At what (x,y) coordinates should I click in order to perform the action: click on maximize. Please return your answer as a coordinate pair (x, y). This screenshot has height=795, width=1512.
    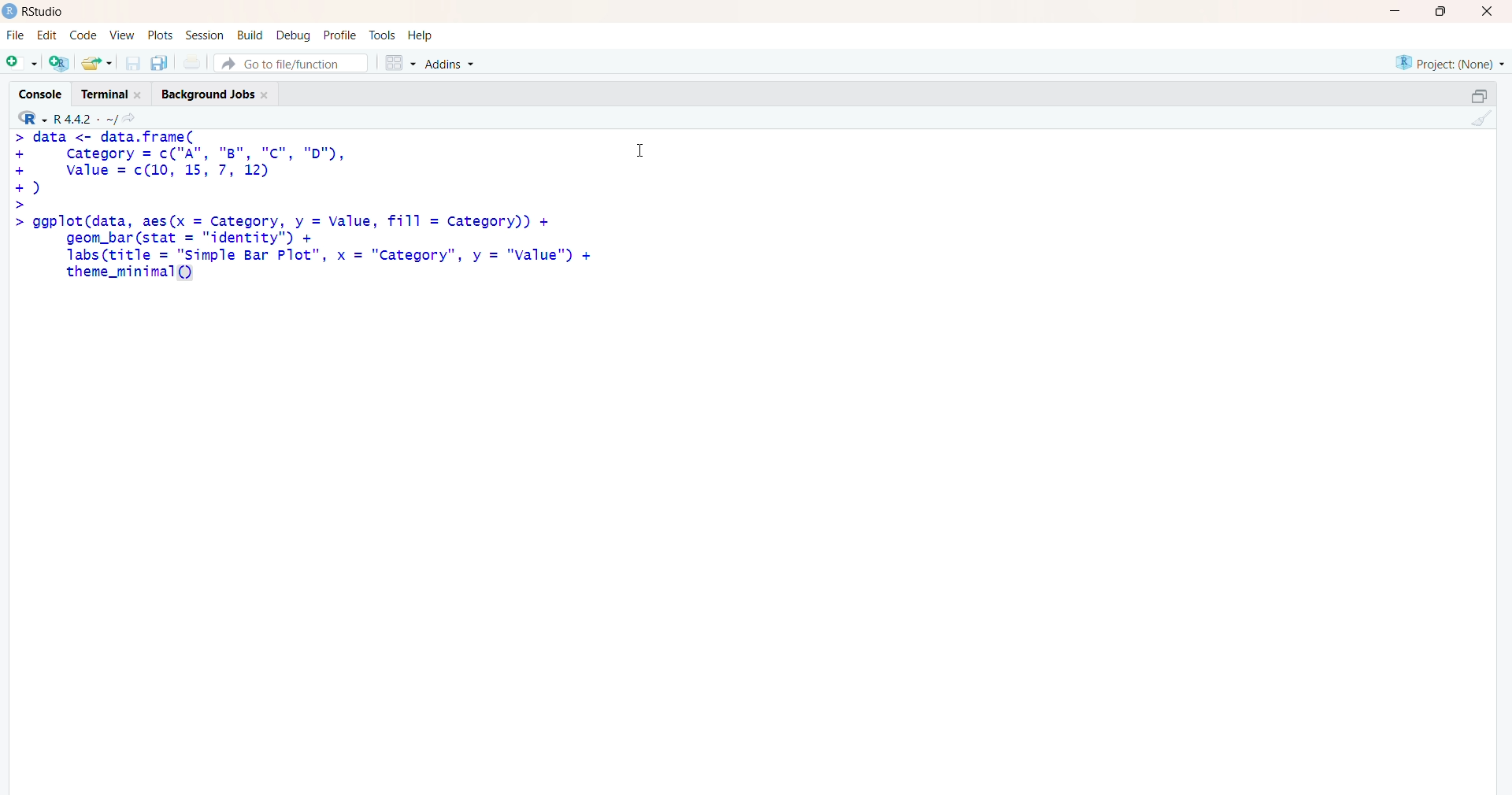
    Looking at the image, I should click on (1446, 11).